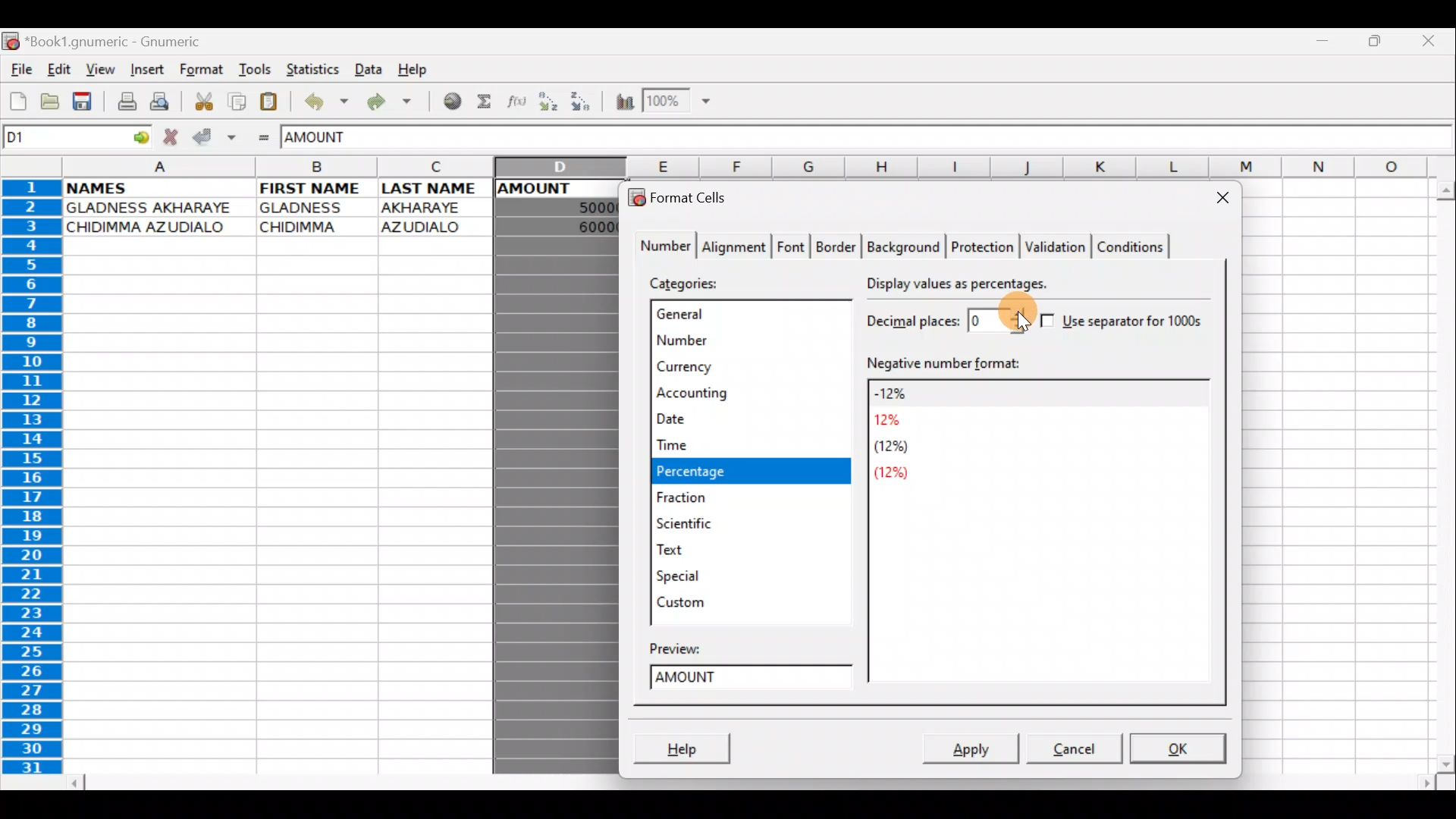 The width and height of the screenshot is (1456, 819). What do you see at coordinates (710, 497) in the screenshot?
I see `Fraction` at bounding box center [710, 497].